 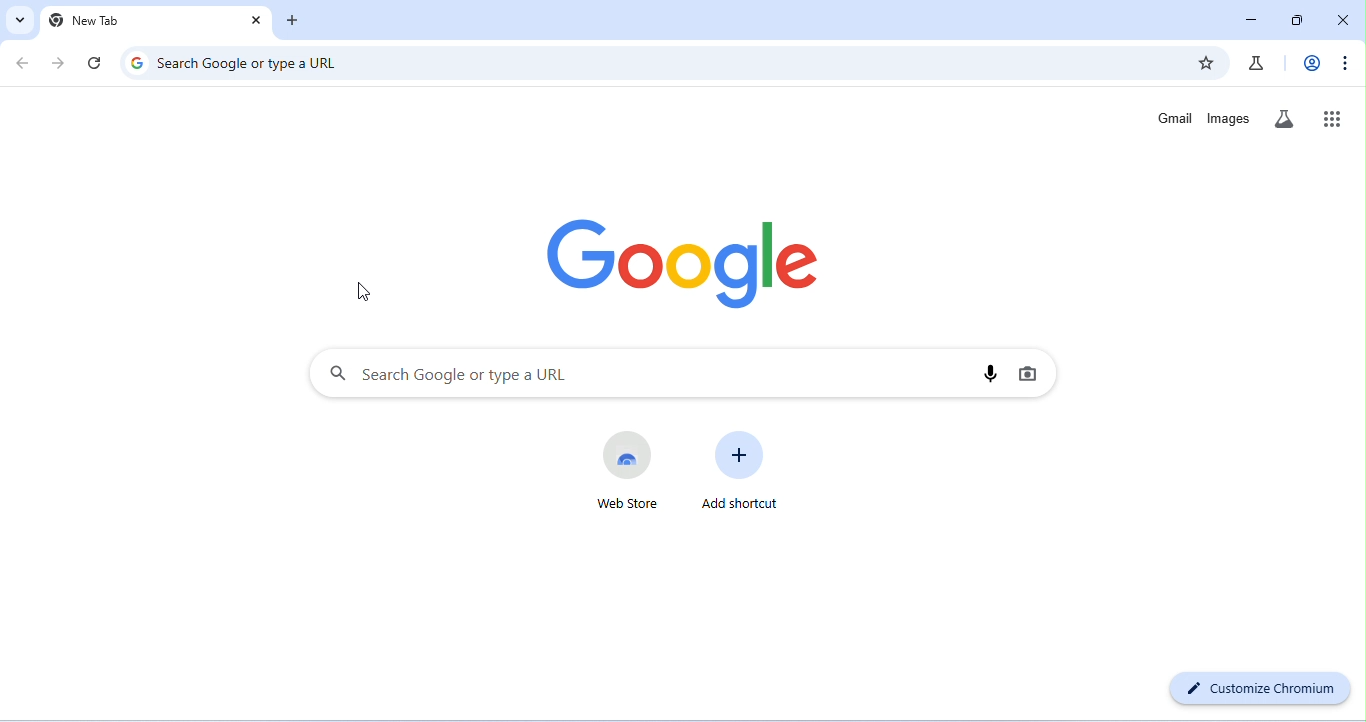 I want to click on close, so click(x=1342, y=20).